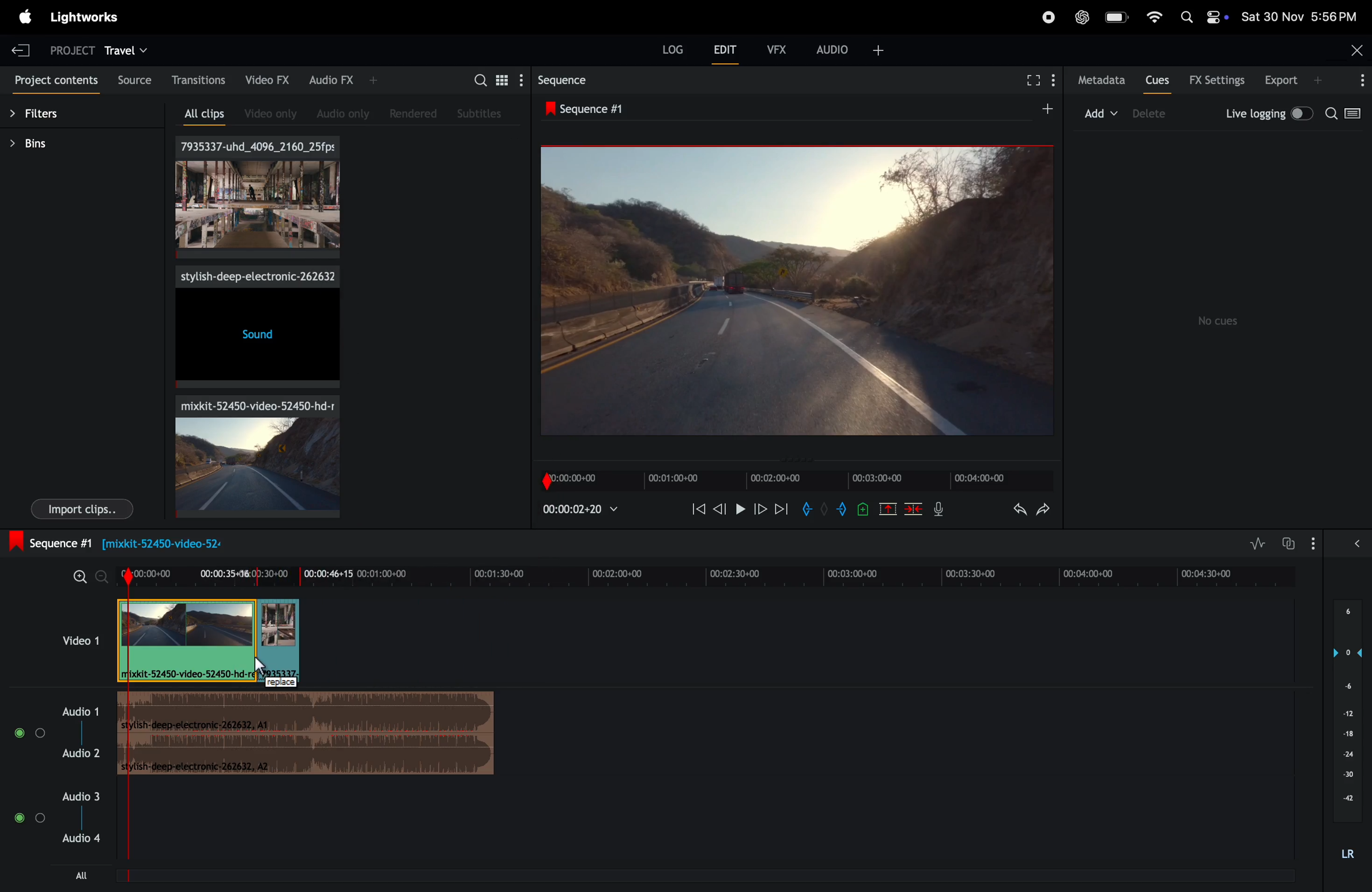 Image resolution: width=1372 pixels, height=892 pixels. What do you see at coordinates (66, 48) in the screenshot?
I see `project` at bounding box center [66, 48].